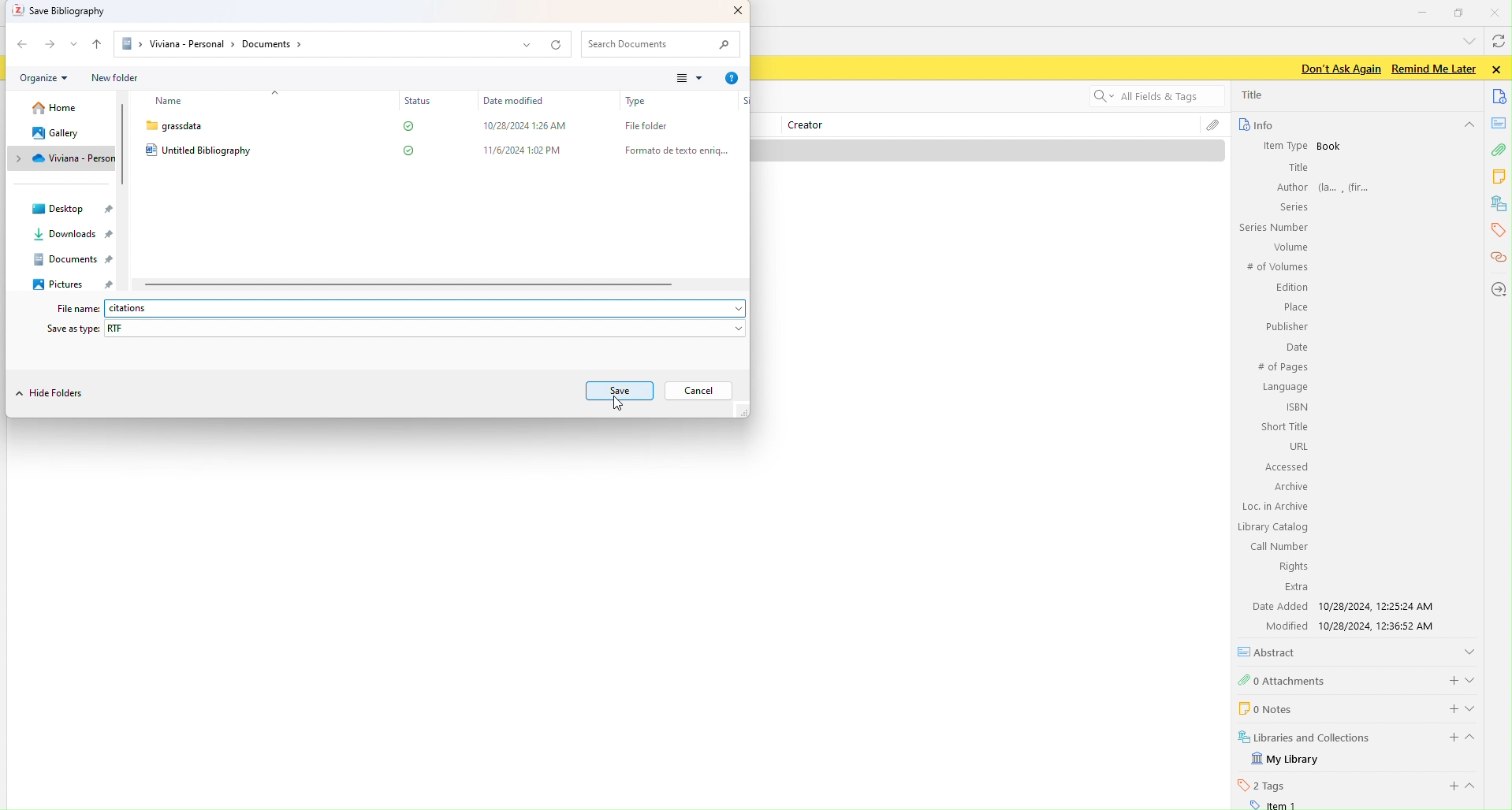  What do you see at coordinates (1477, 740) in the screenshot?
I see `hide` at bounding box center [1477, 740].